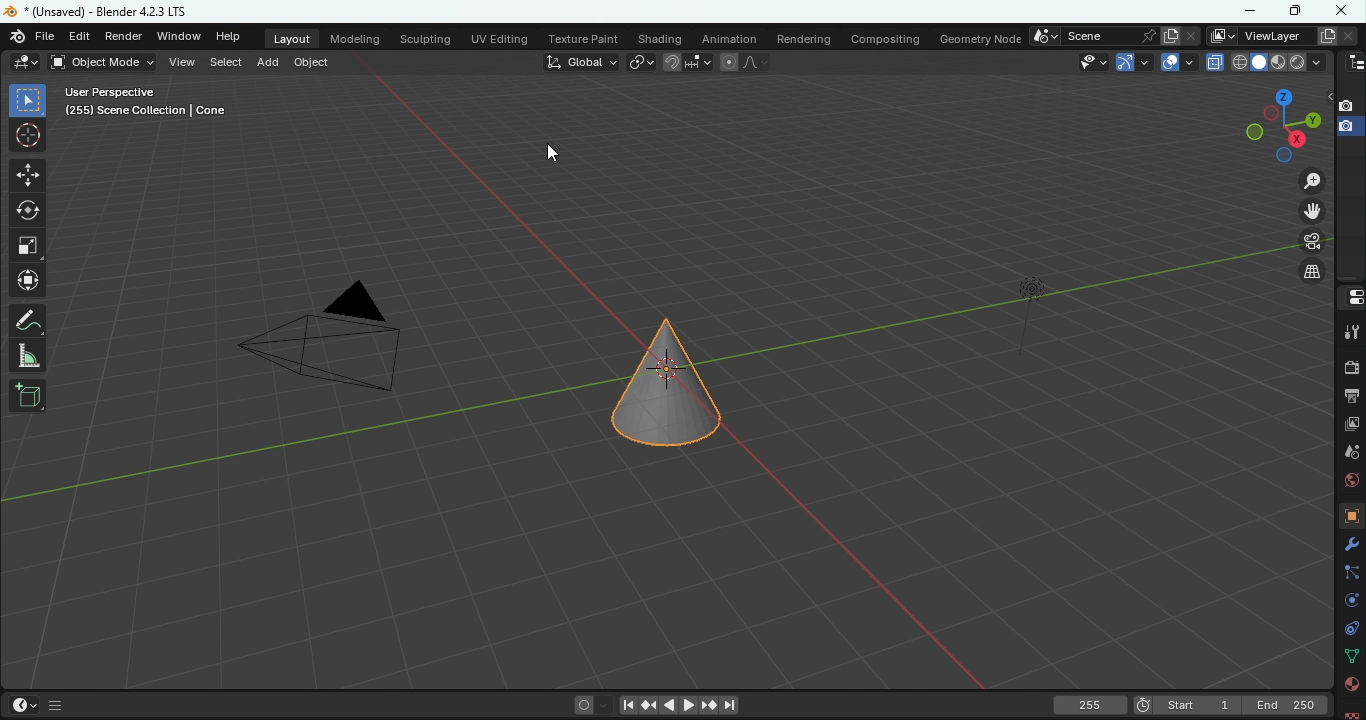 This screenshot has width=1366, height=720. Describe the element at coordinates (1346, 484) in the screenshot. I see `World` at that location.